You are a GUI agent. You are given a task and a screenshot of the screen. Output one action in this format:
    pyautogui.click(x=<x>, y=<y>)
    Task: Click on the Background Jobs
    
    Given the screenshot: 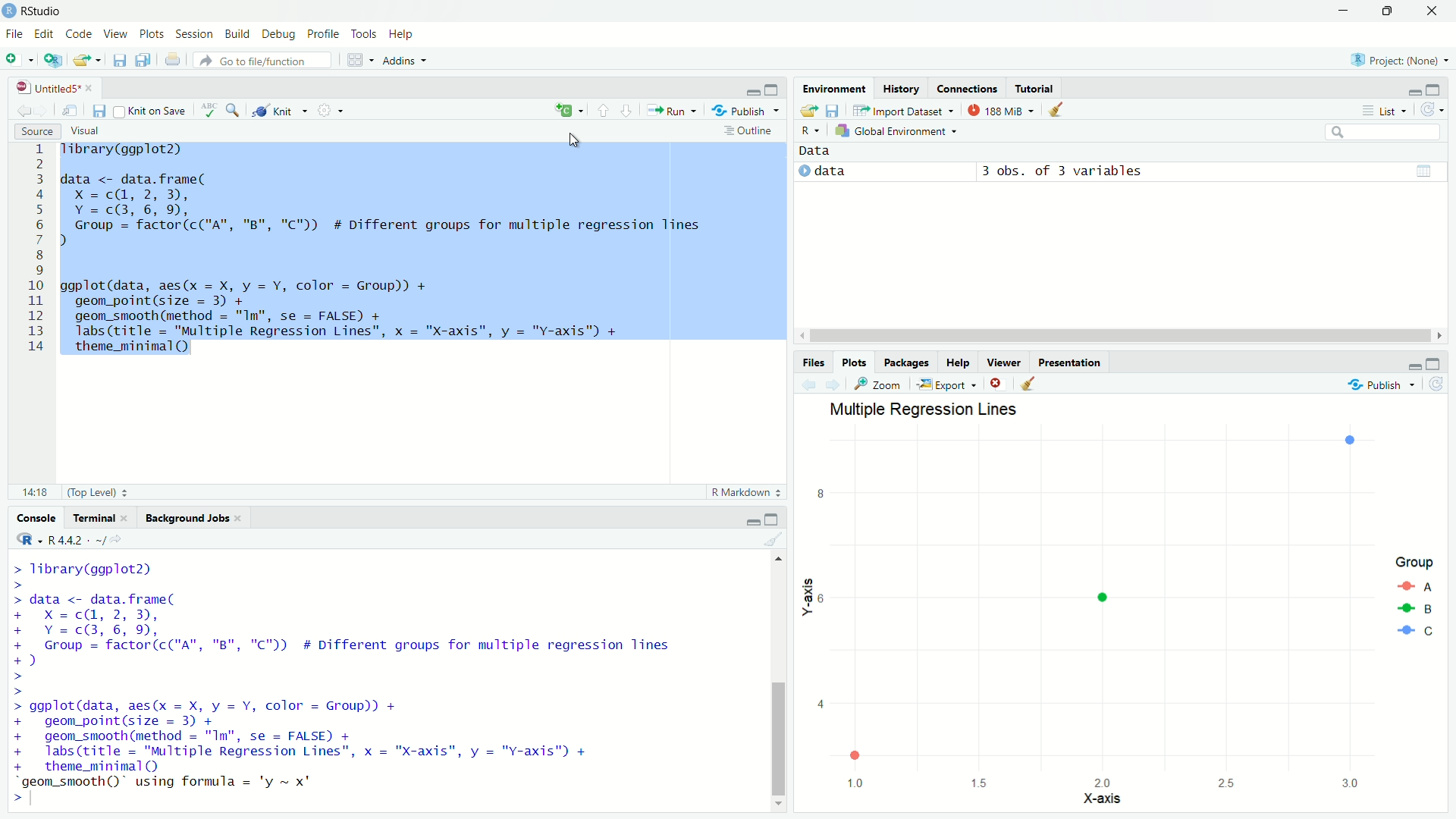 What is the action you would take?
    pyautogui.click(x=184, y=517)
    